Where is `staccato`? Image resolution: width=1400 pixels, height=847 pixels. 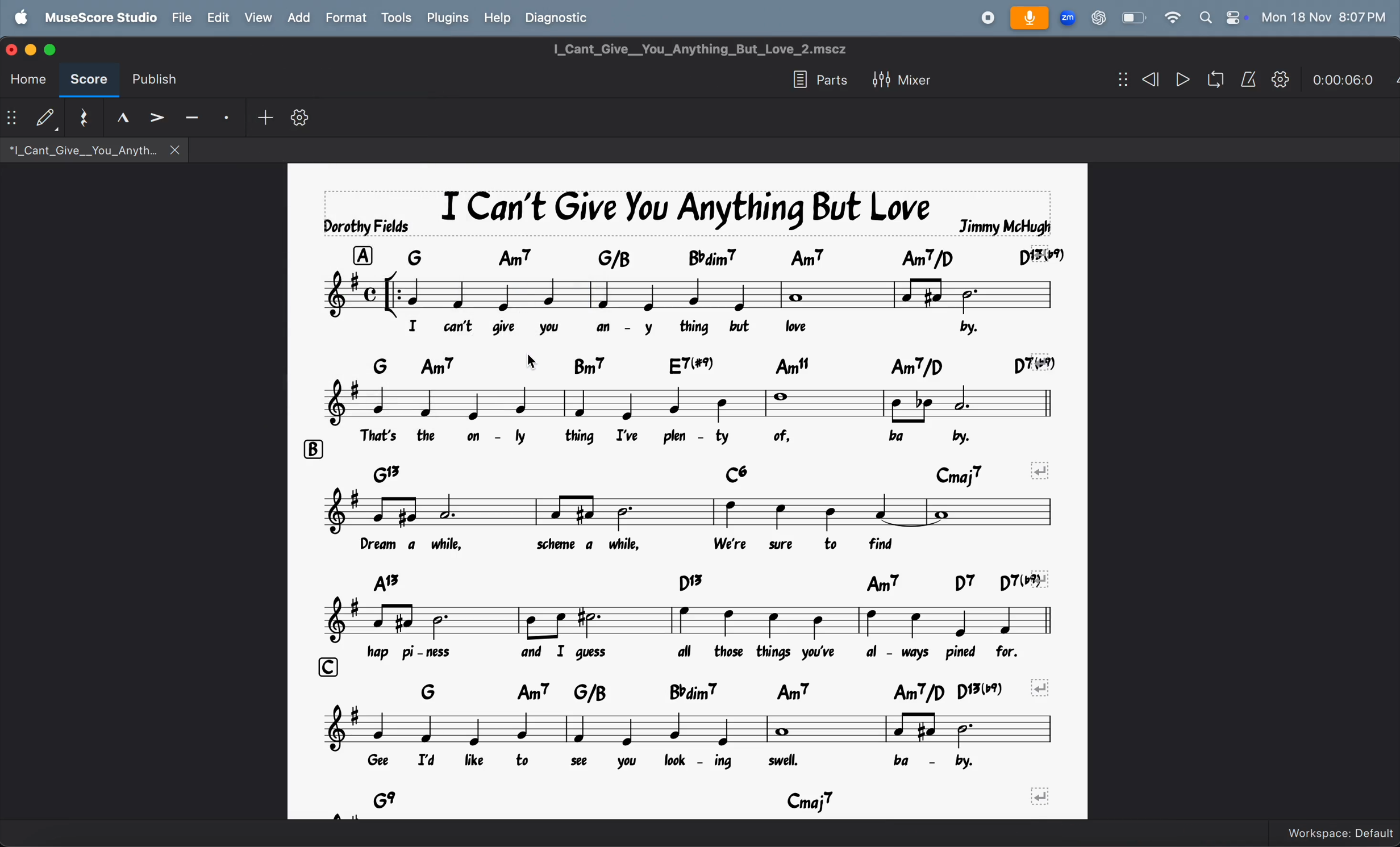 staccato is located at coordinates (223, 118).